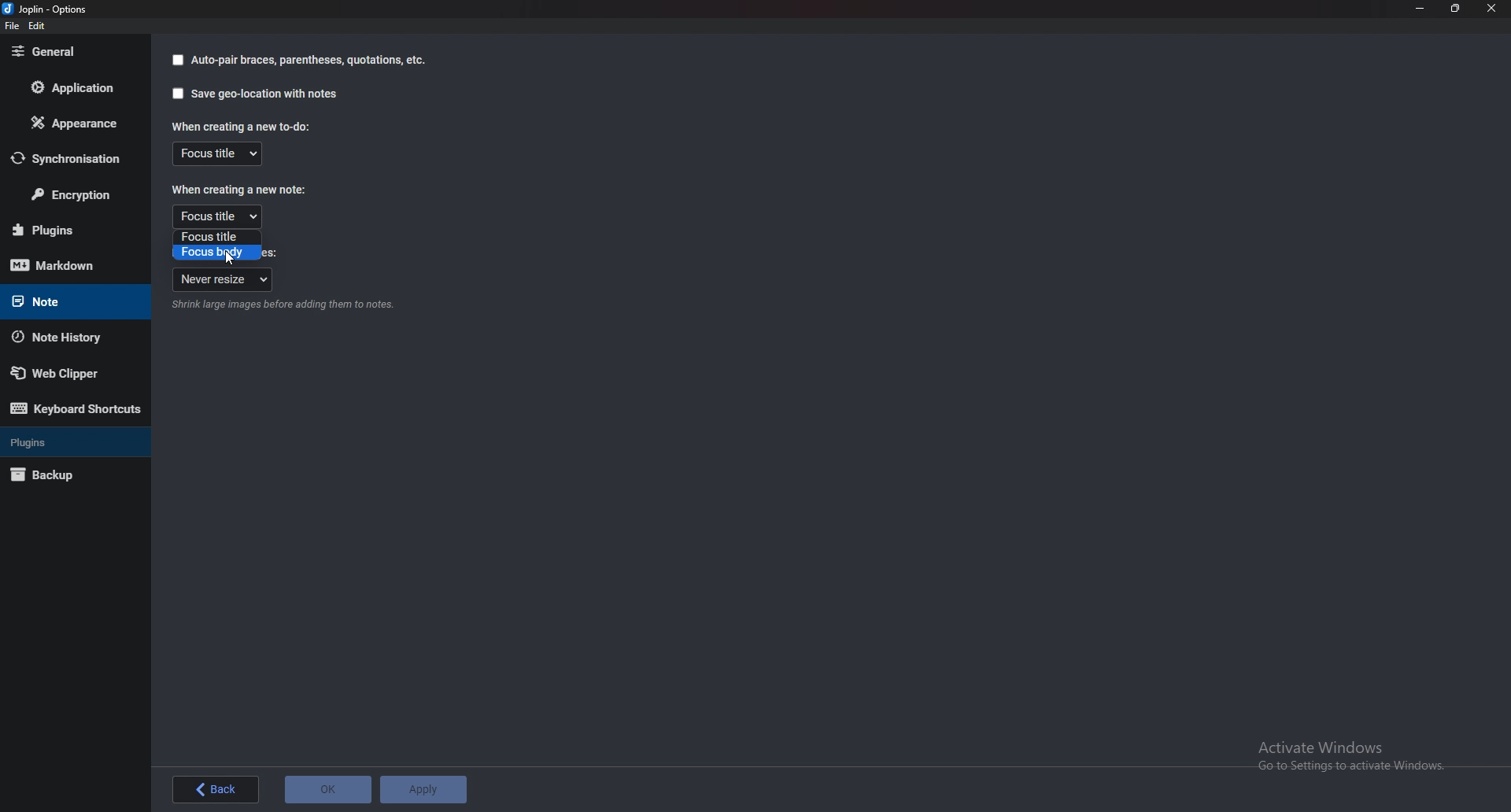  Describe the element at coordinates (330, 790) in the screenshot. I see `o K` at that location.